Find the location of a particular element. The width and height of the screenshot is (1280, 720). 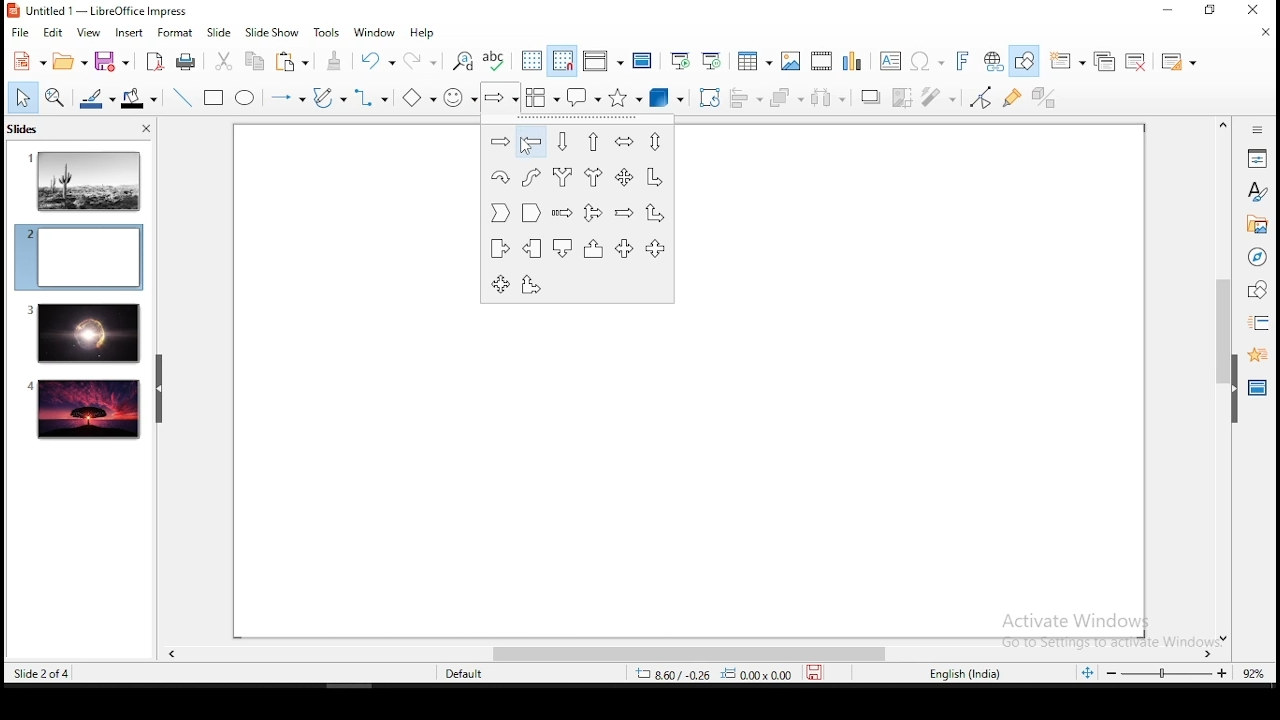

slide show is located at coordinates (274, 33).